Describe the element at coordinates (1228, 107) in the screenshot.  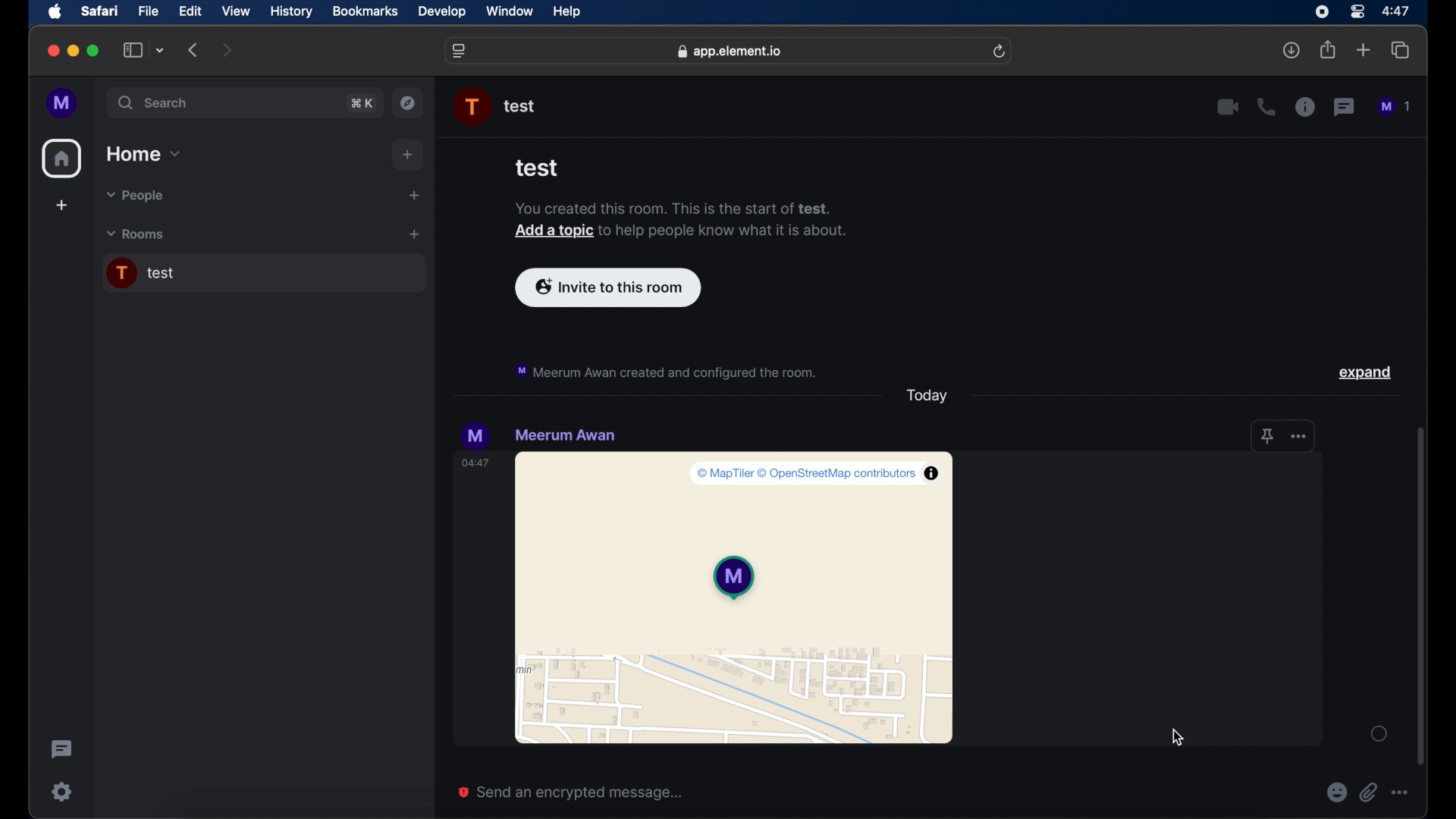
I see `video call` at that location.